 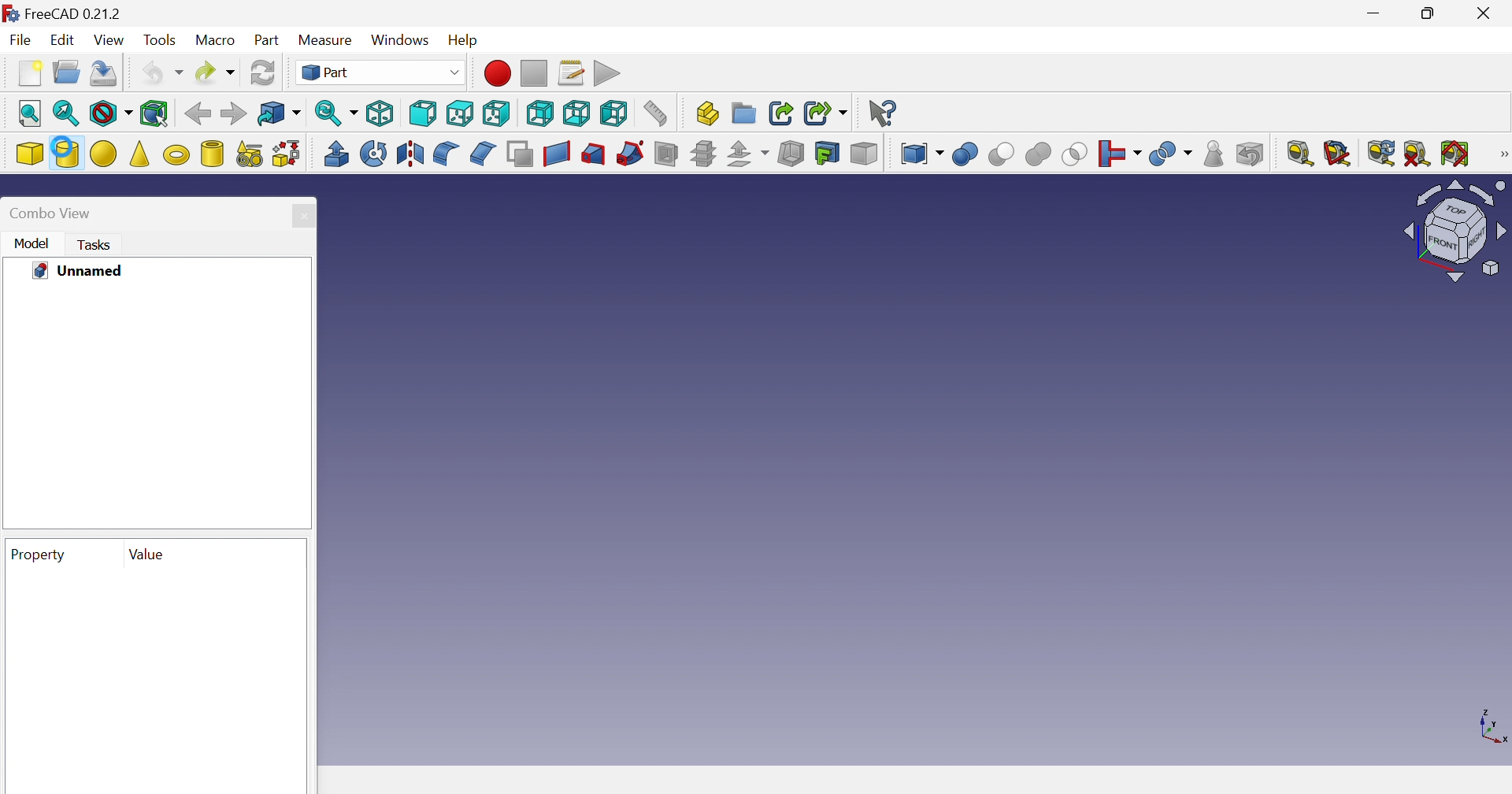 What do you see at coordinates (265, 72) in the screenshot?
I see `Refresh` at bounding box center [265, 72].